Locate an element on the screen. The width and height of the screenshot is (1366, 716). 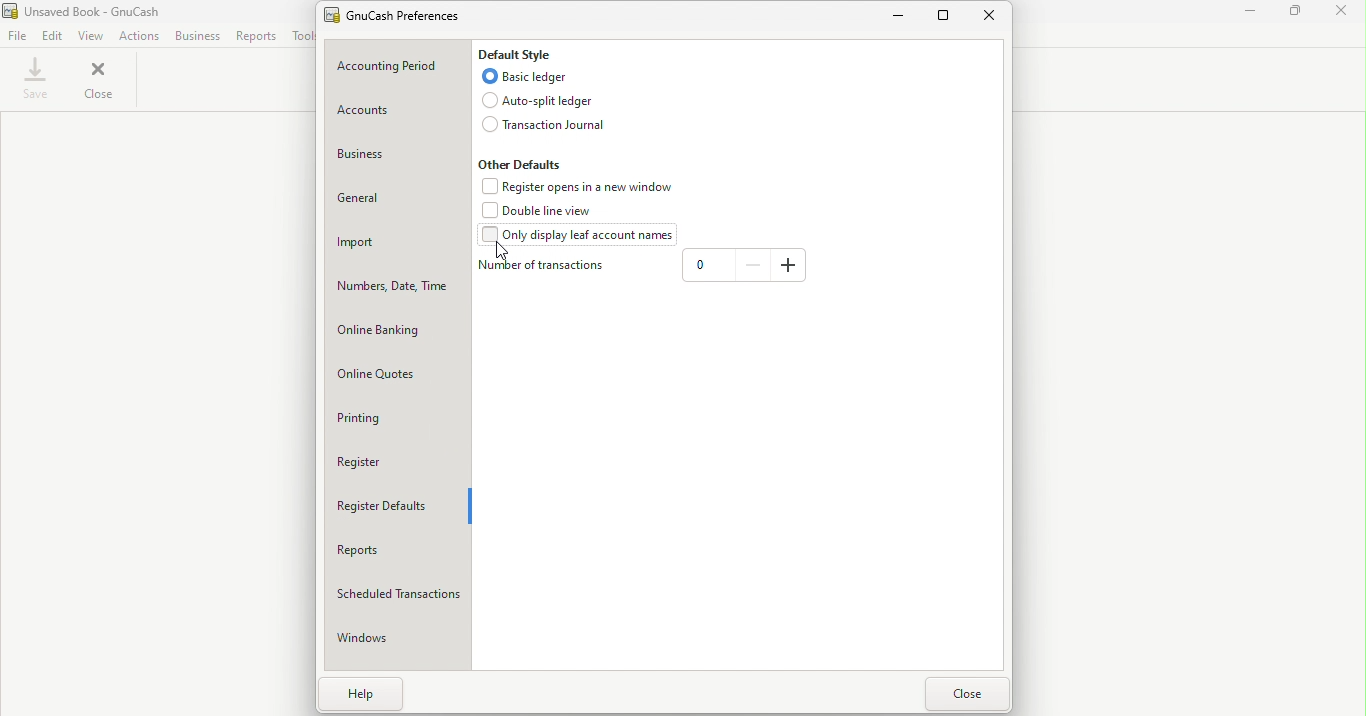
Help is located at coordinates (374, 695).